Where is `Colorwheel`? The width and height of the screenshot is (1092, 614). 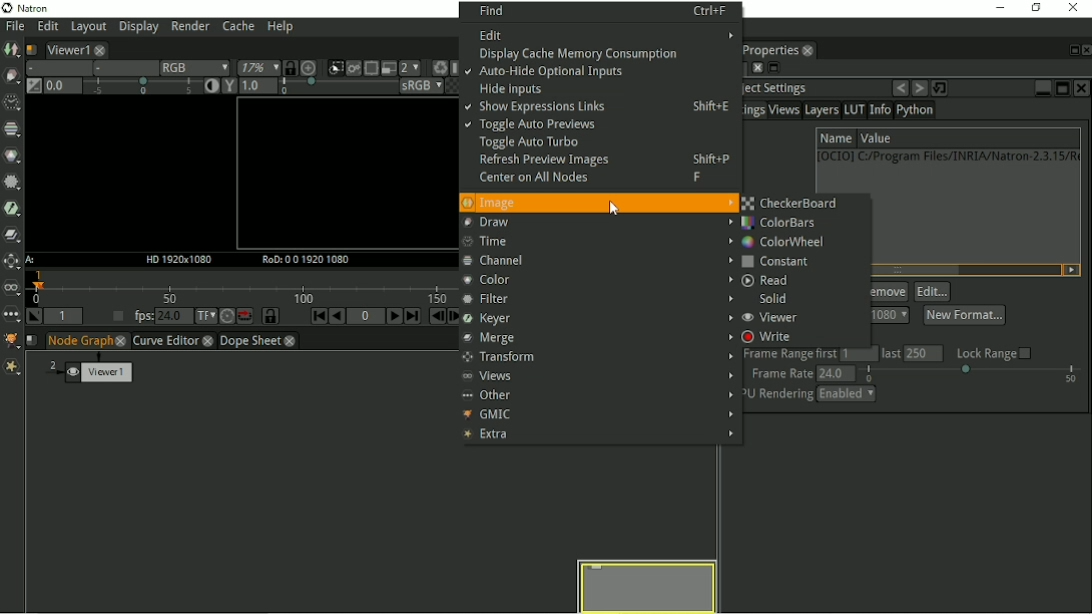 Colorwheel is located at coordinates (784, 241).